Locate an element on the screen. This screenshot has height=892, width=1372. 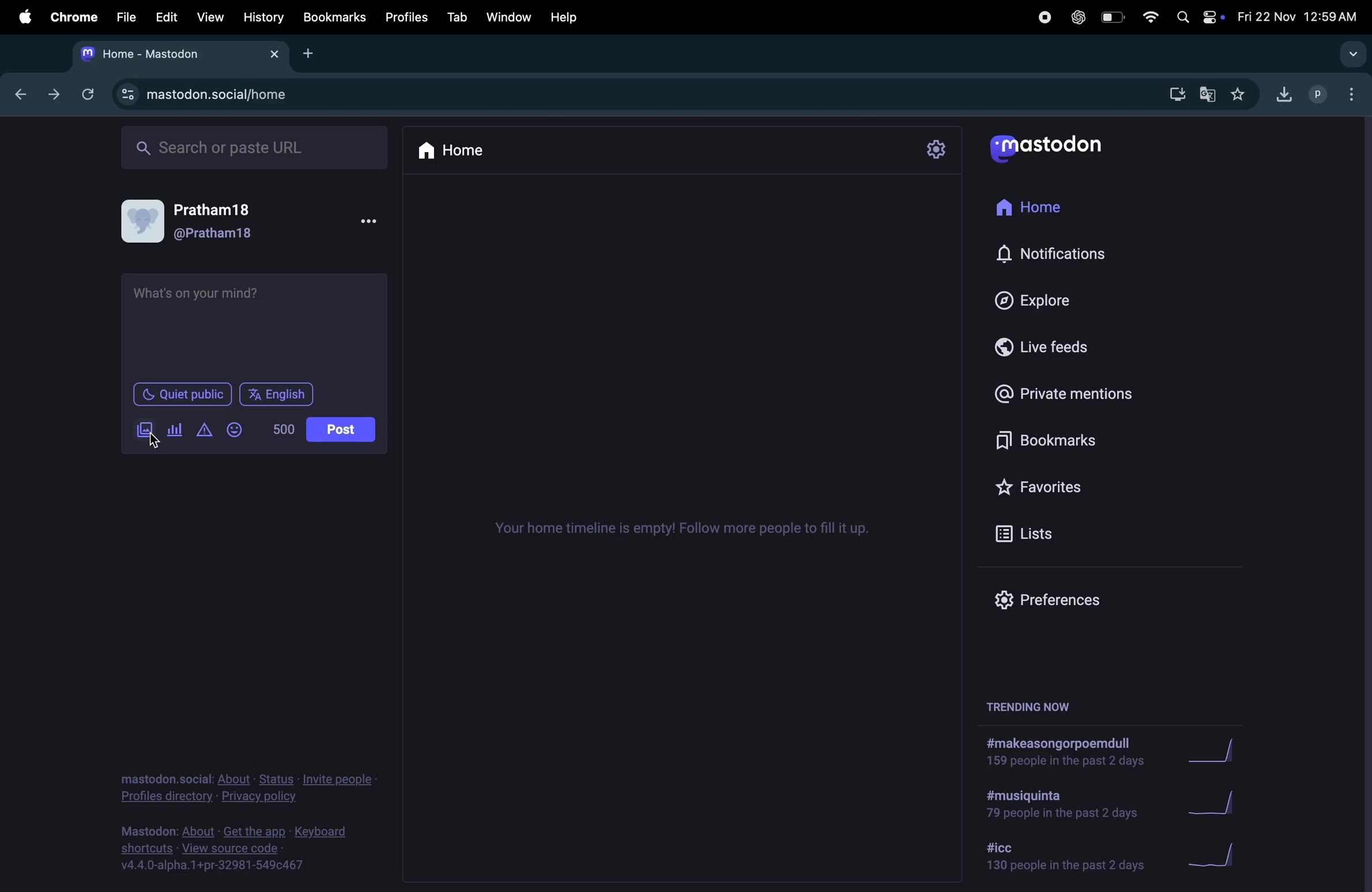
apple widgets is located at coordinates (1213, 17).